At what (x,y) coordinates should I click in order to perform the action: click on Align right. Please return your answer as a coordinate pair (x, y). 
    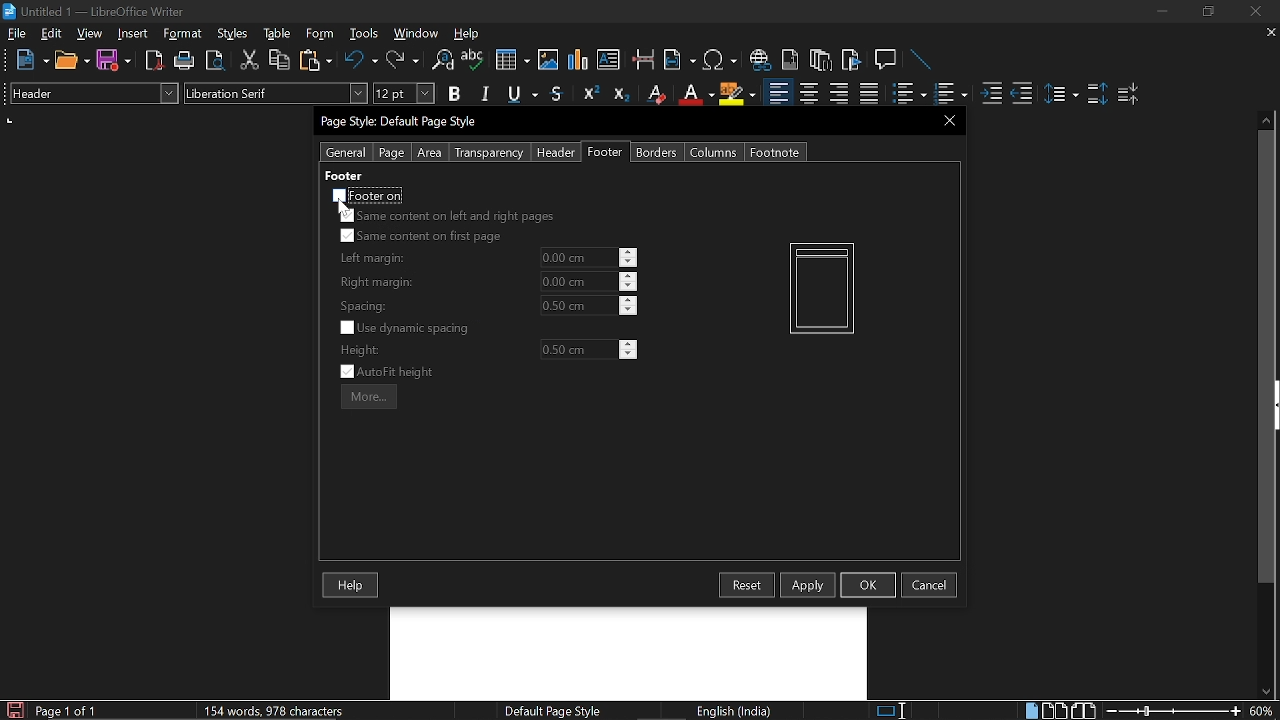
    Looking at the image, I should click on (841, 93).